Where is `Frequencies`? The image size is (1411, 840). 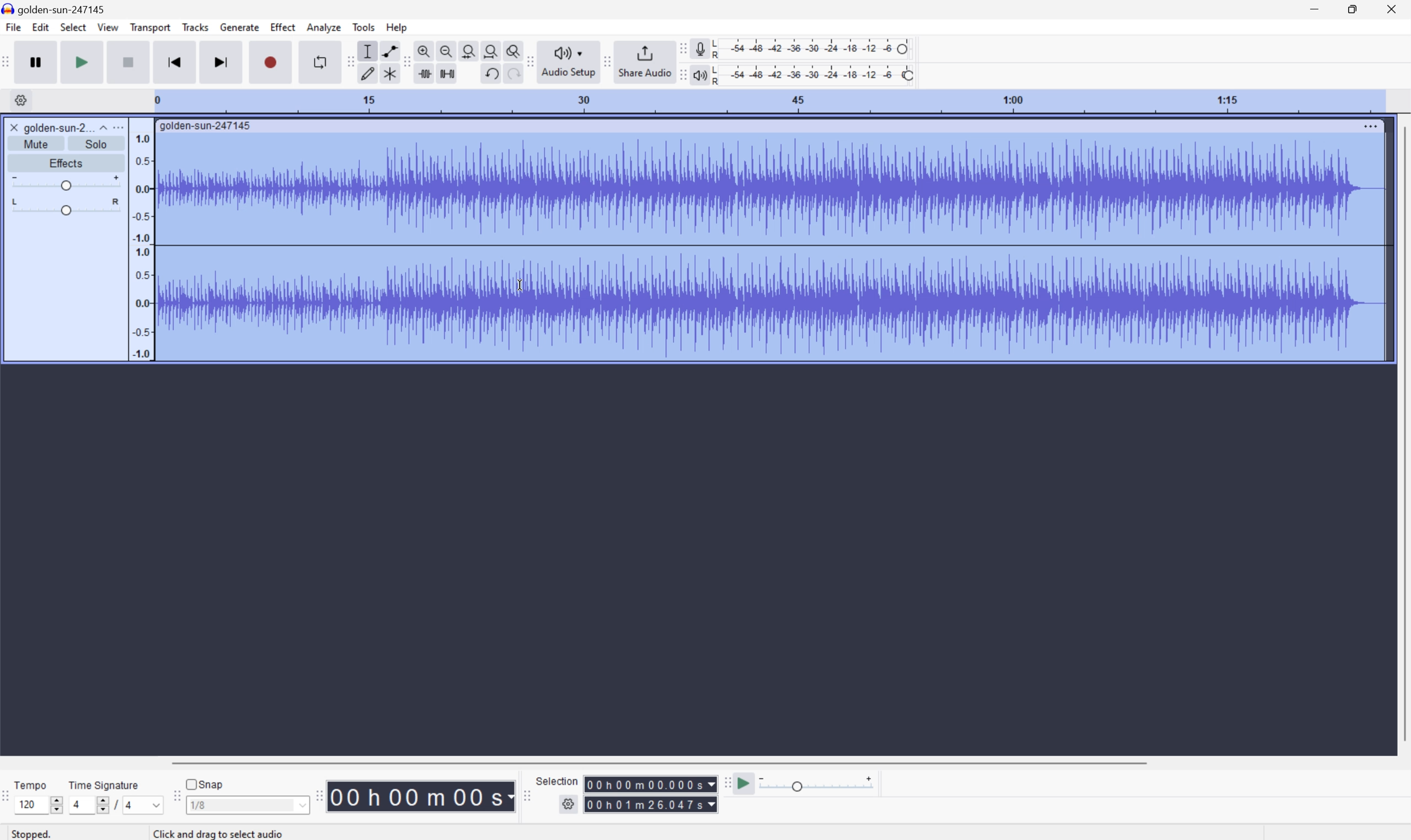
Frequencies is located at coordinates (142, 246).